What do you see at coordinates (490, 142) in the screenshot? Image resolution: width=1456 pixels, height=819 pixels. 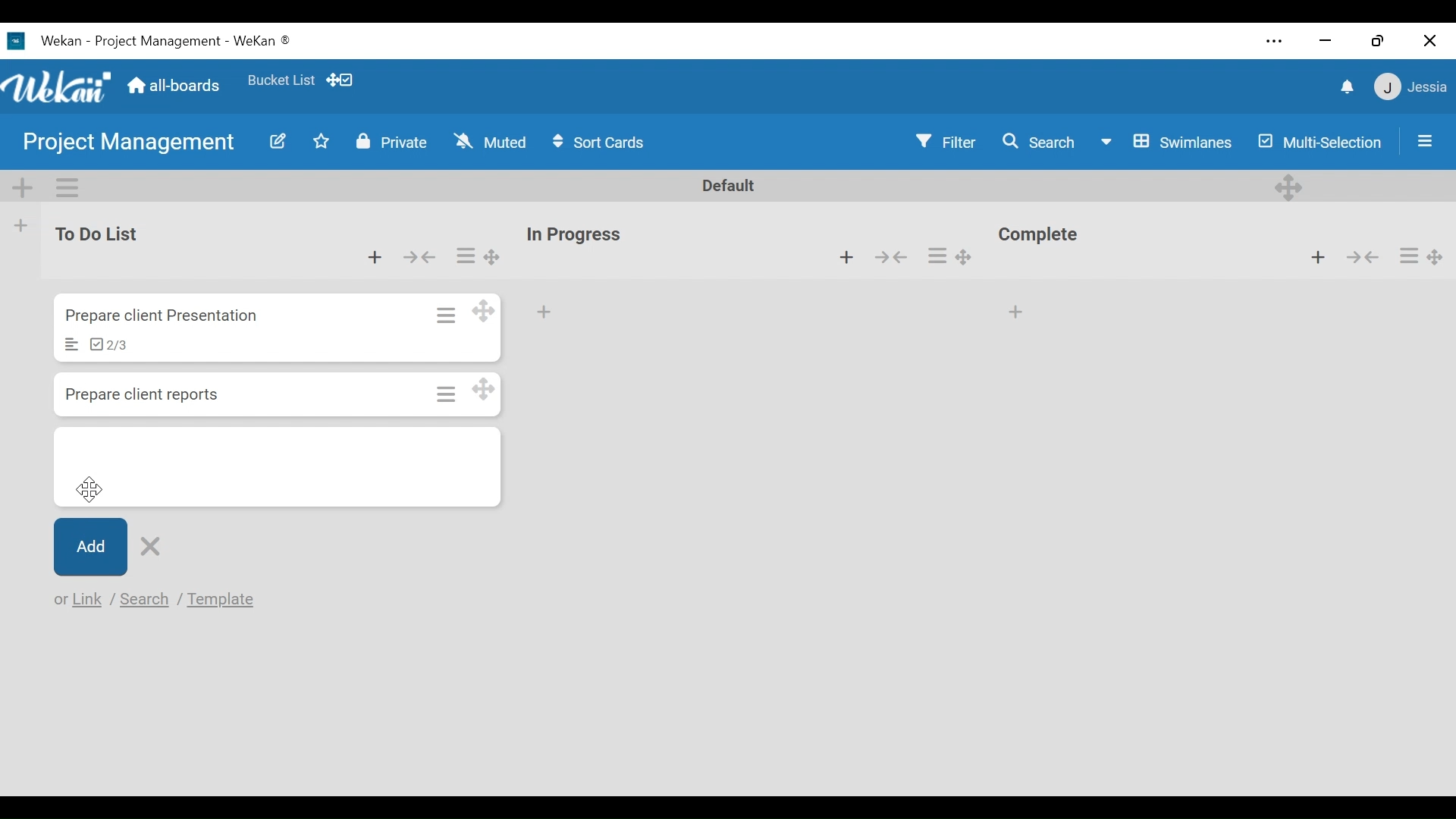 I see `Muted` at bounding box center [490, 142].